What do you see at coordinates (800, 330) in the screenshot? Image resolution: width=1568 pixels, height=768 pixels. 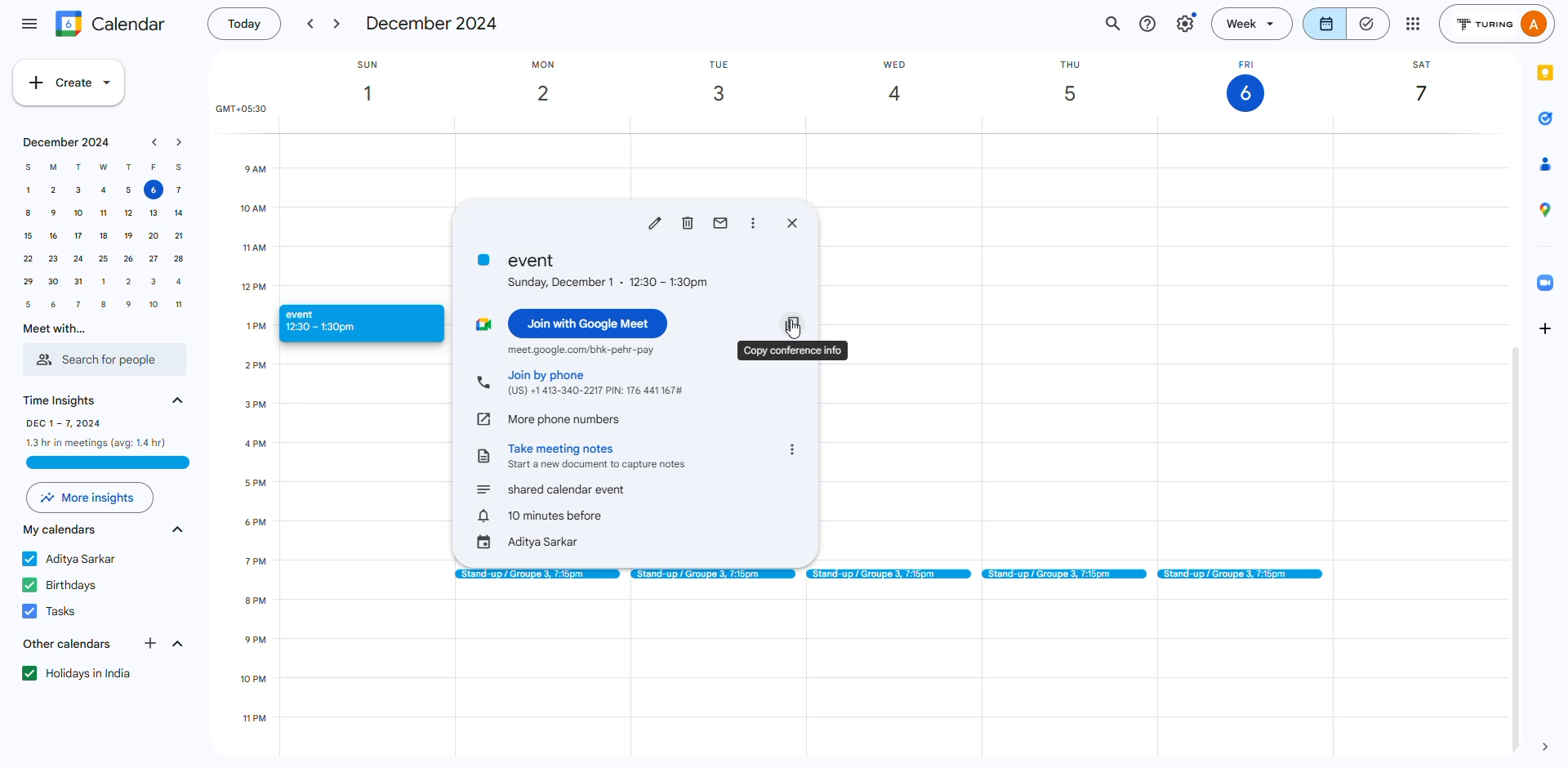 I see `cursor` at bounding box center [800, 330].